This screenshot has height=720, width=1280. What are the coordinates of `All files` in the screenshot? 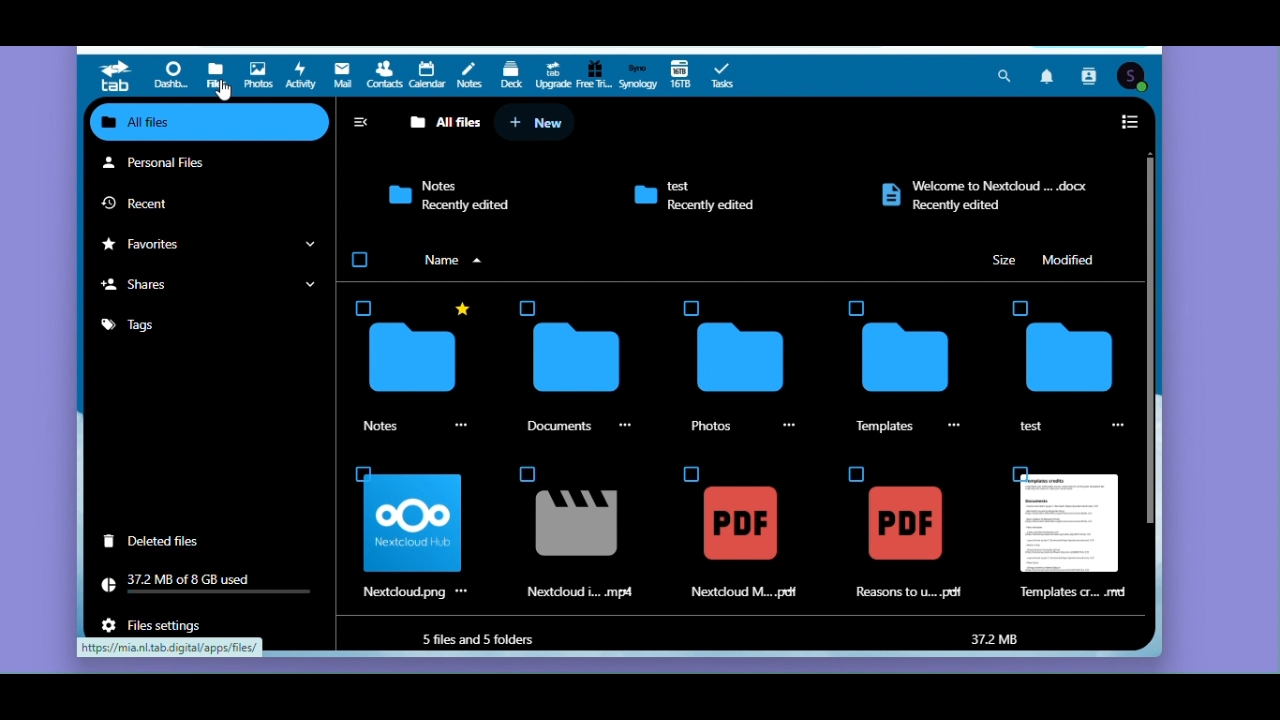 It's located at (206, 124).